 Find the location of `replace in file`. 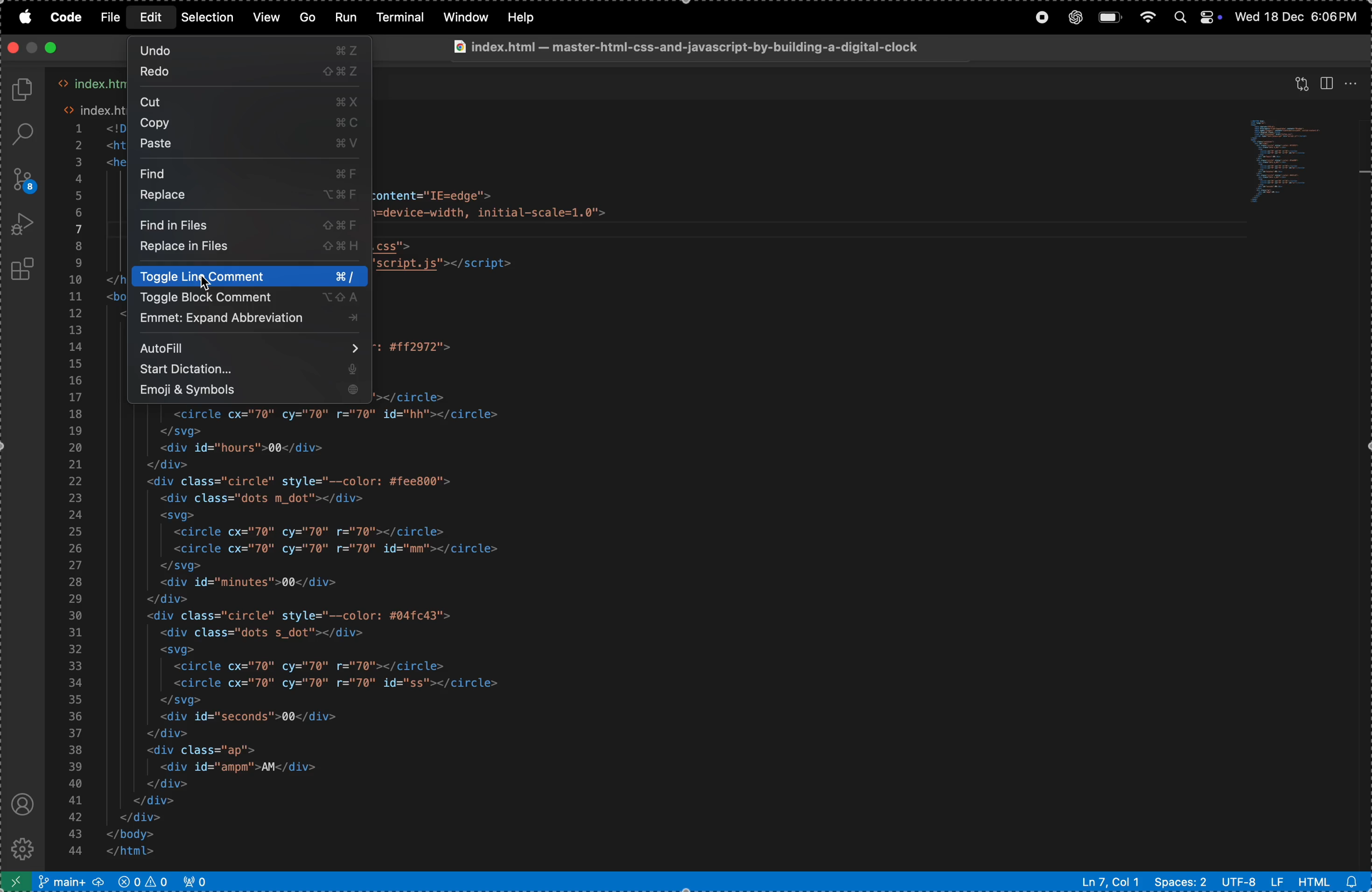

replace in file is located at coordinates (244, 248).